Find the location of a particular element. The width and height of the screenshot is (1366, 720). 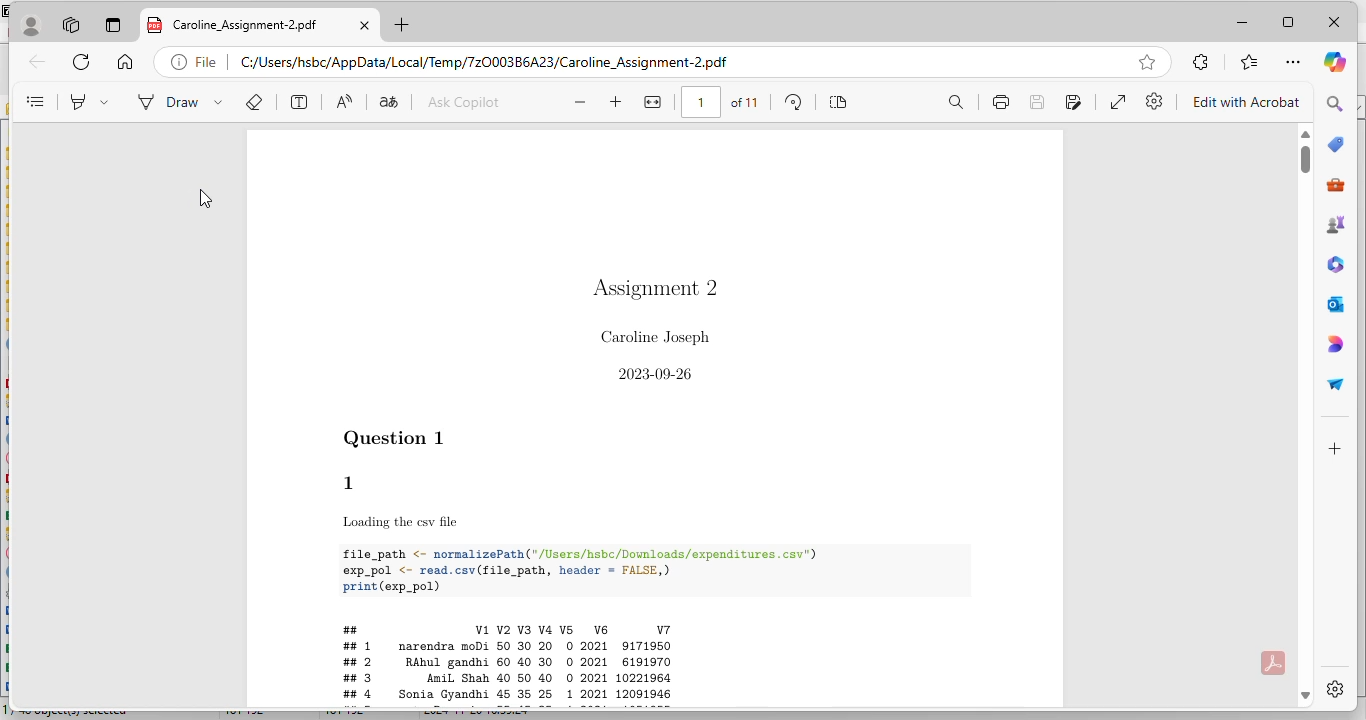

print is located at coordinates (1002, 101).